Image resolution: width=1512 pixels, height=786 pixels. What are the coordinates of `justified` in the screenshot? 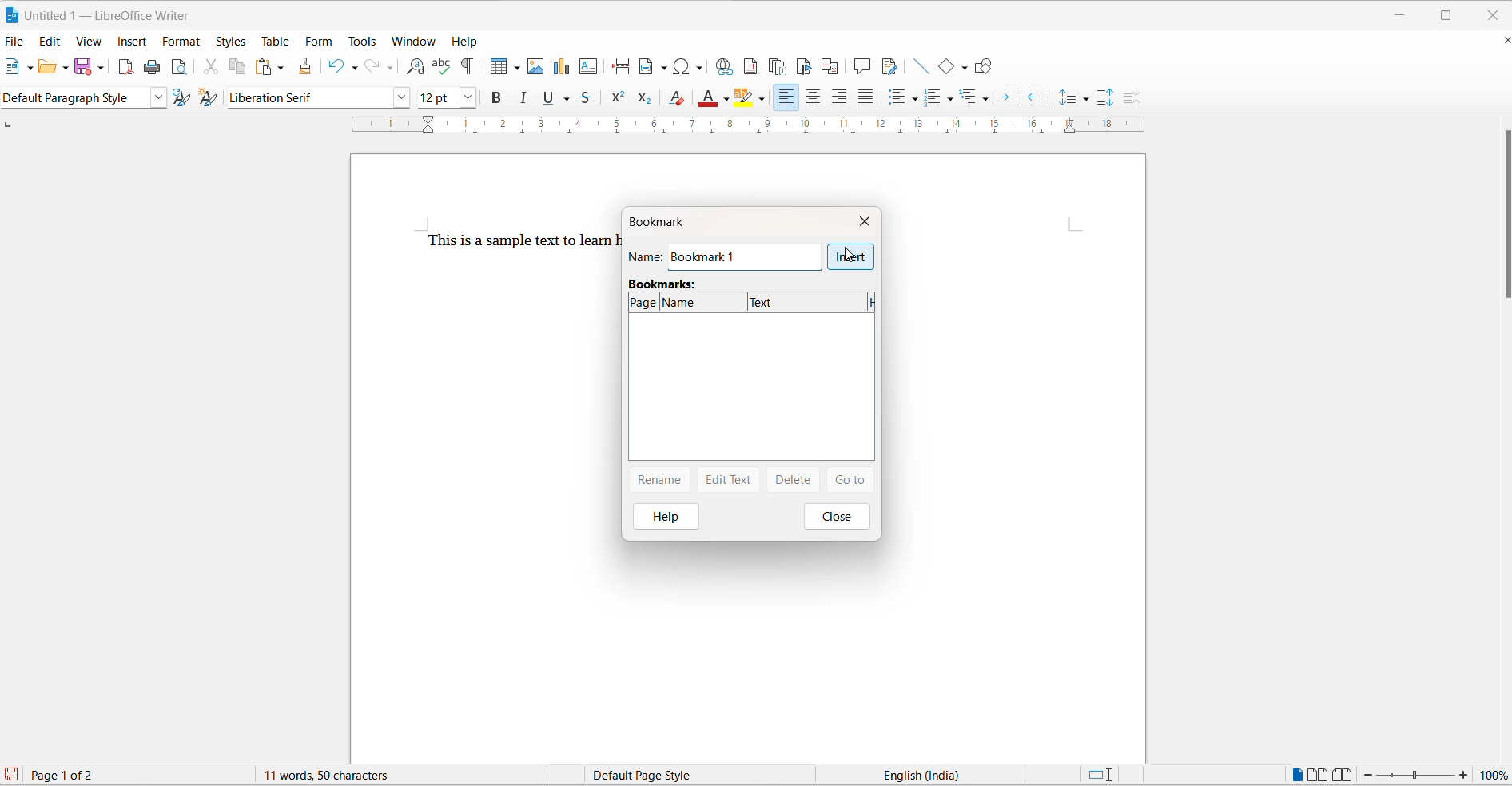 It's located at (864, 97).